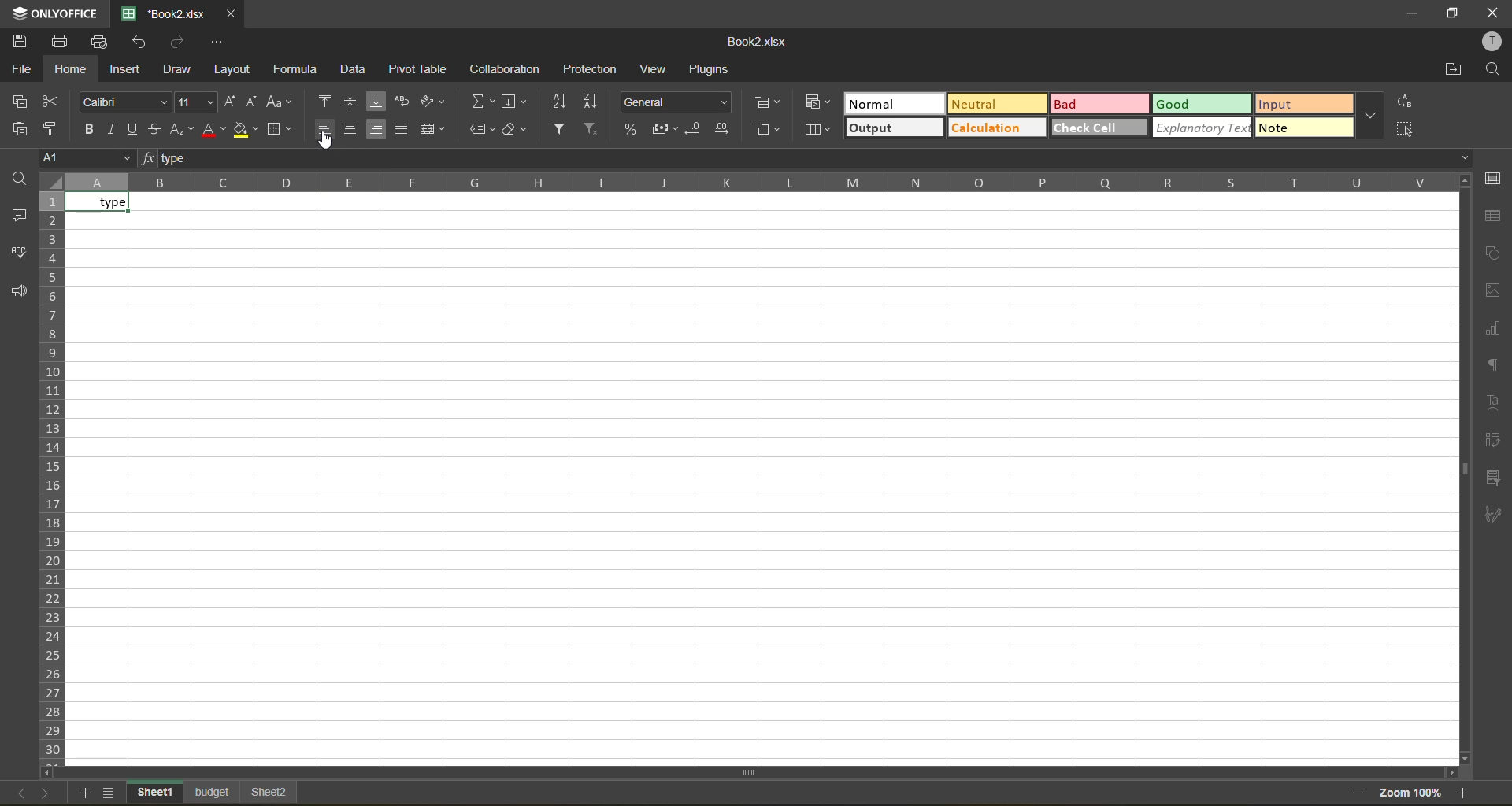 The image size is (1512, 806). What do you see at coordinates (126, 67) in the screenshot?
I see `insert` at bounding box center [126, 67].